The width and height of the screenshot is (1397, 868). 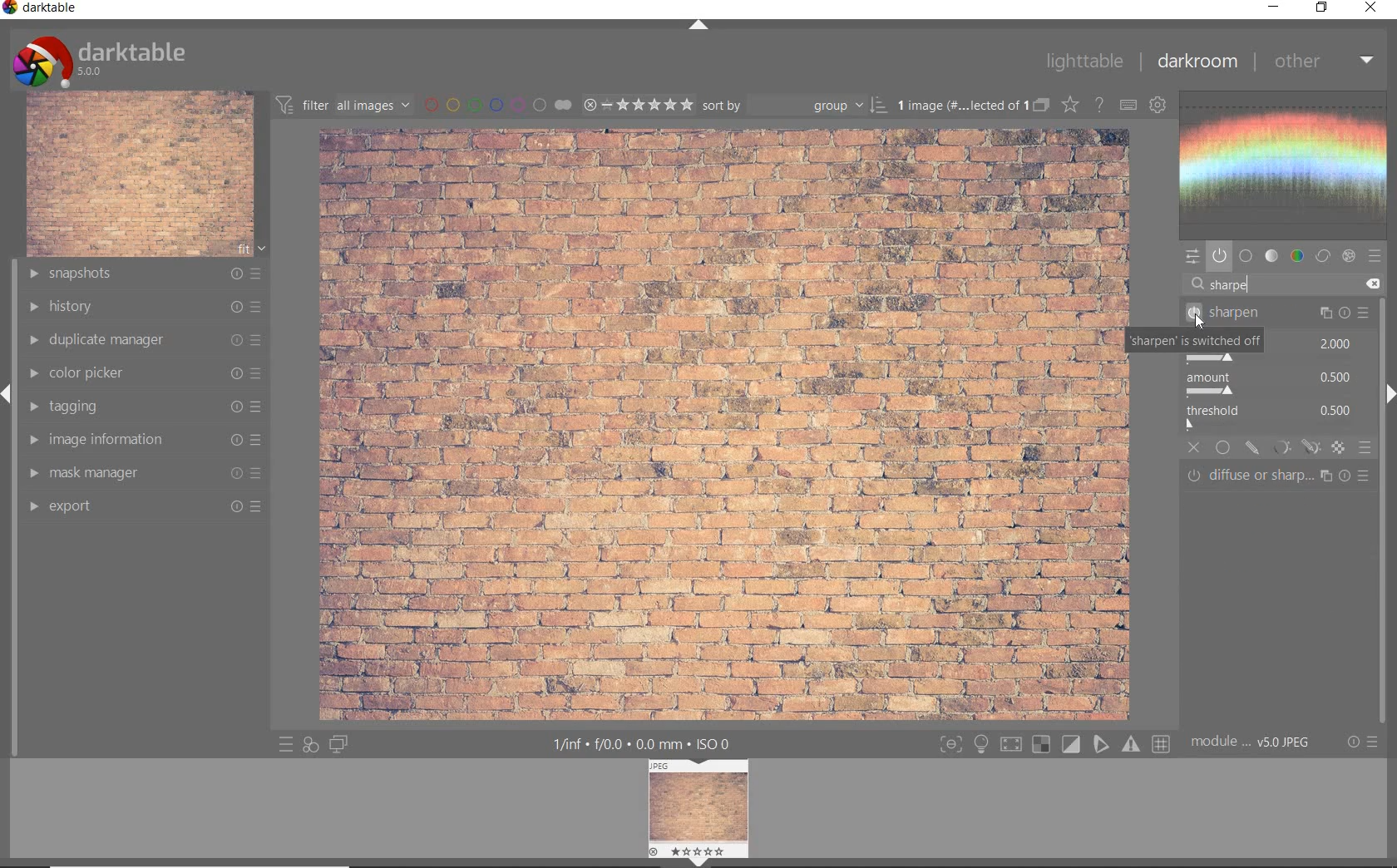 I want to click on SHARPEN, so click(x=1276, y=313).